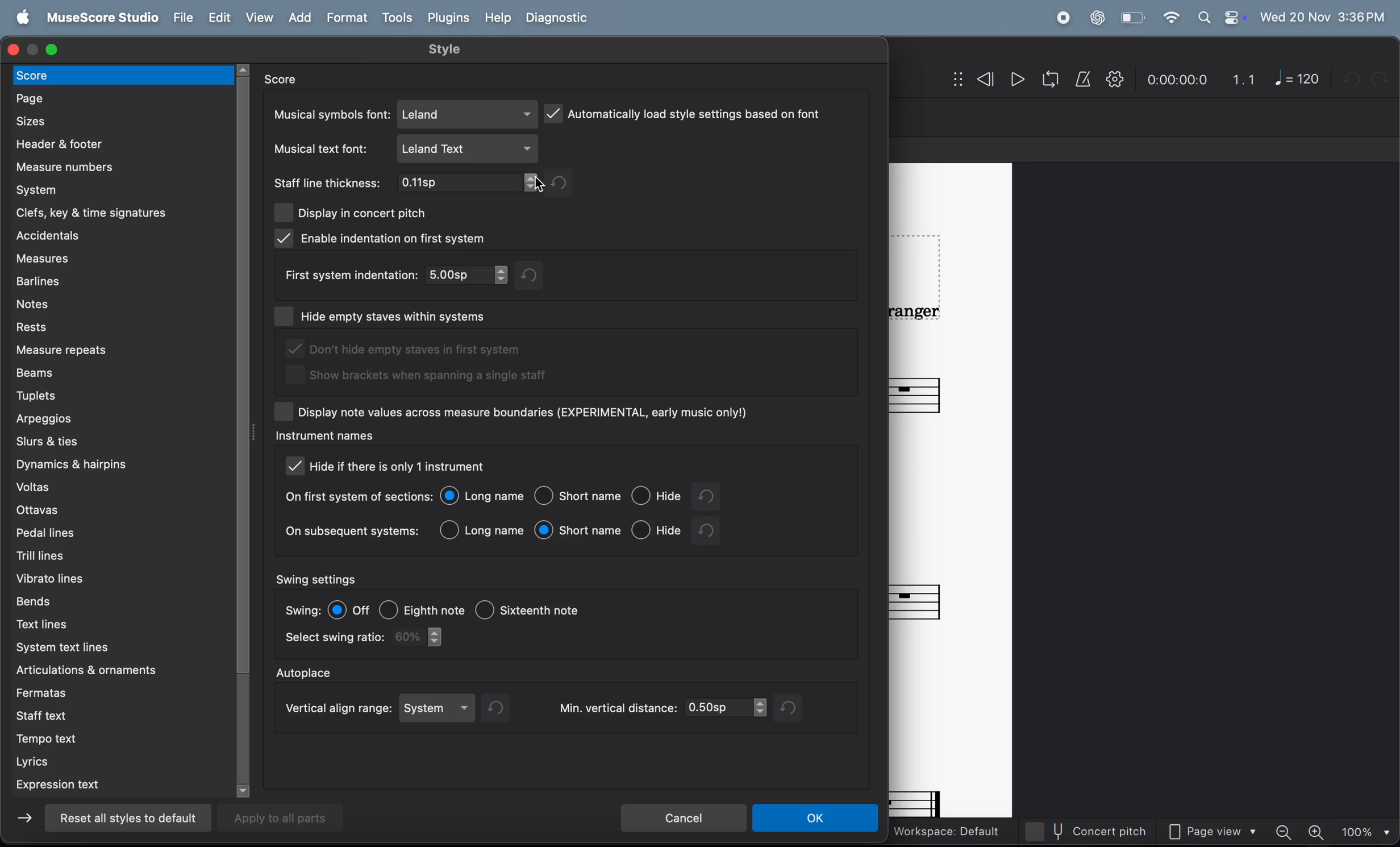 This screenshot has height=847, width=1400. I want to click on sizes, so click(118, 120).